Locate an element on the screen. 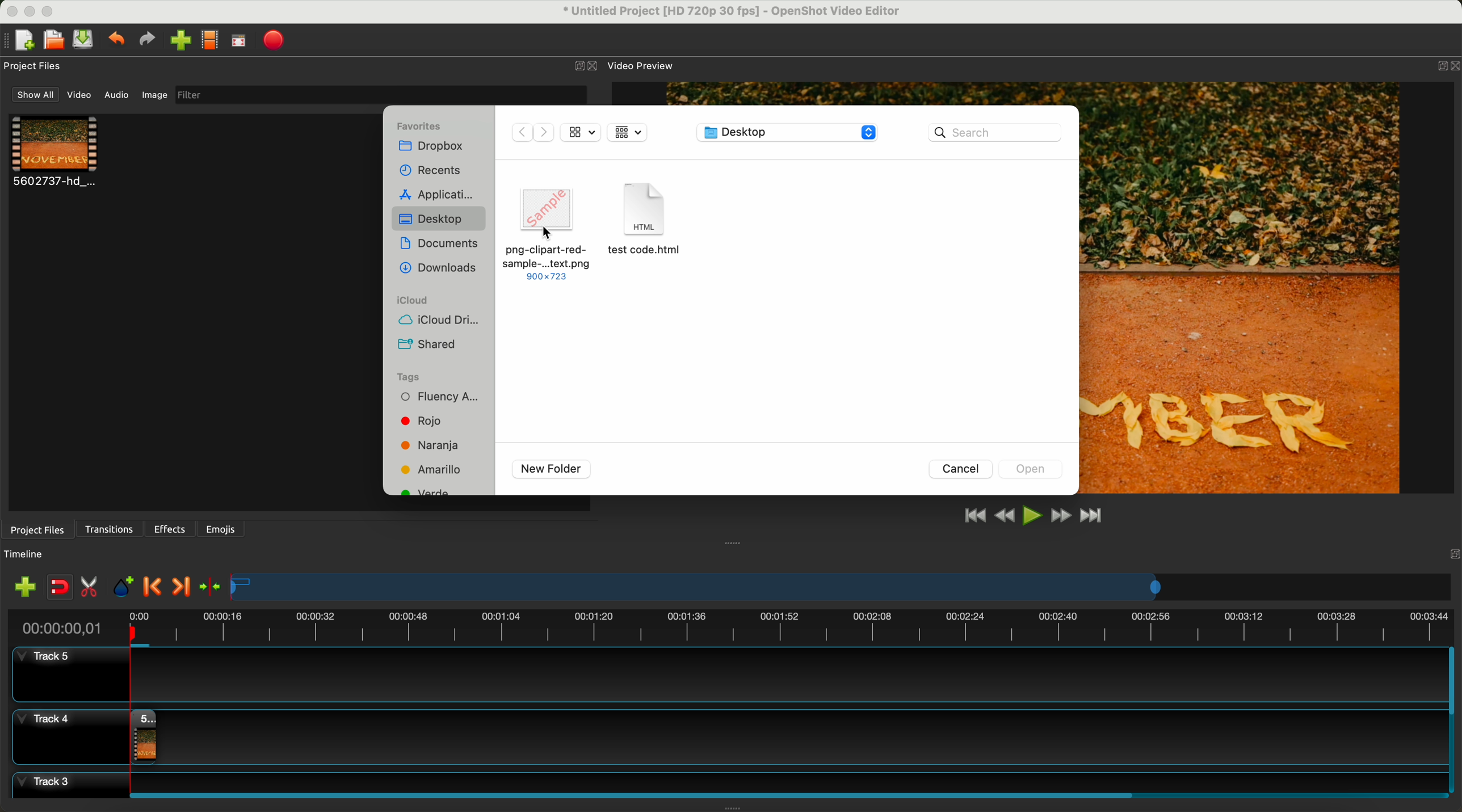  play is located at coordinates (1032, 515).